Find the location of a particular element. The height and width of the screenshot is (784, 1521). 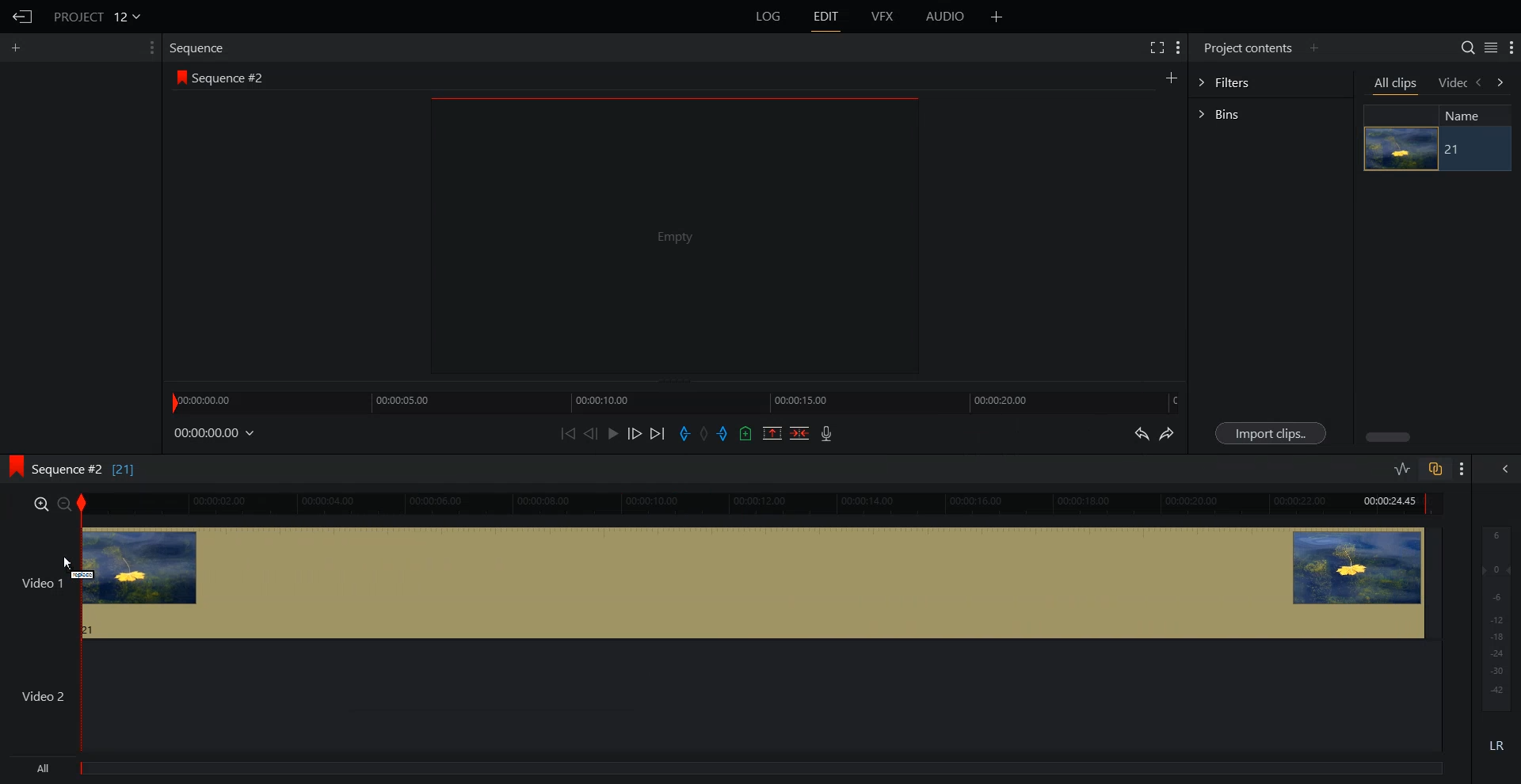

Toggle Auto track Sync is located at coordinates (1434, 469).